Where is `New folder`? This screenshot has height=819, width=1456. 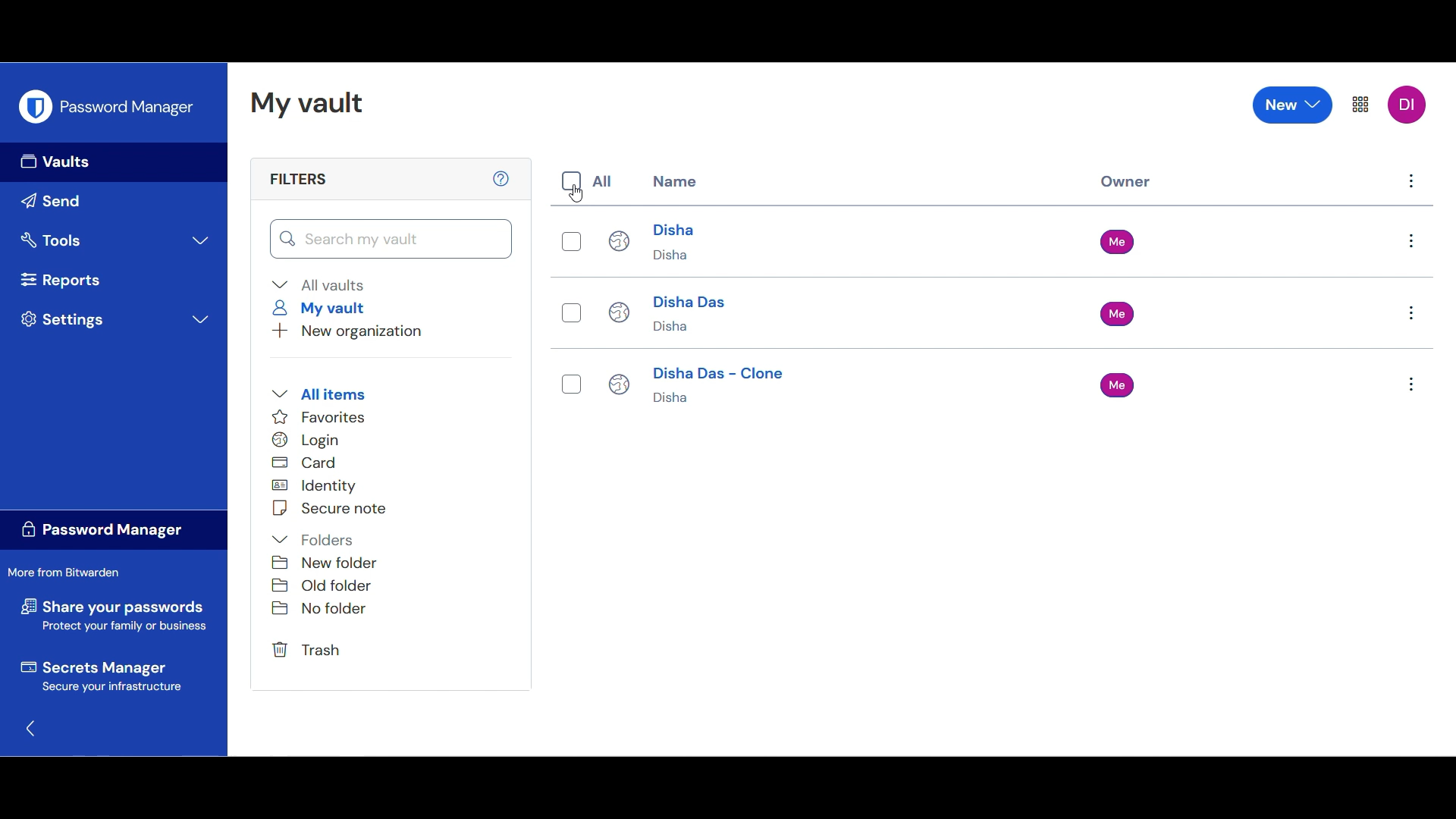 New folder is located at coordinates (325, 563).